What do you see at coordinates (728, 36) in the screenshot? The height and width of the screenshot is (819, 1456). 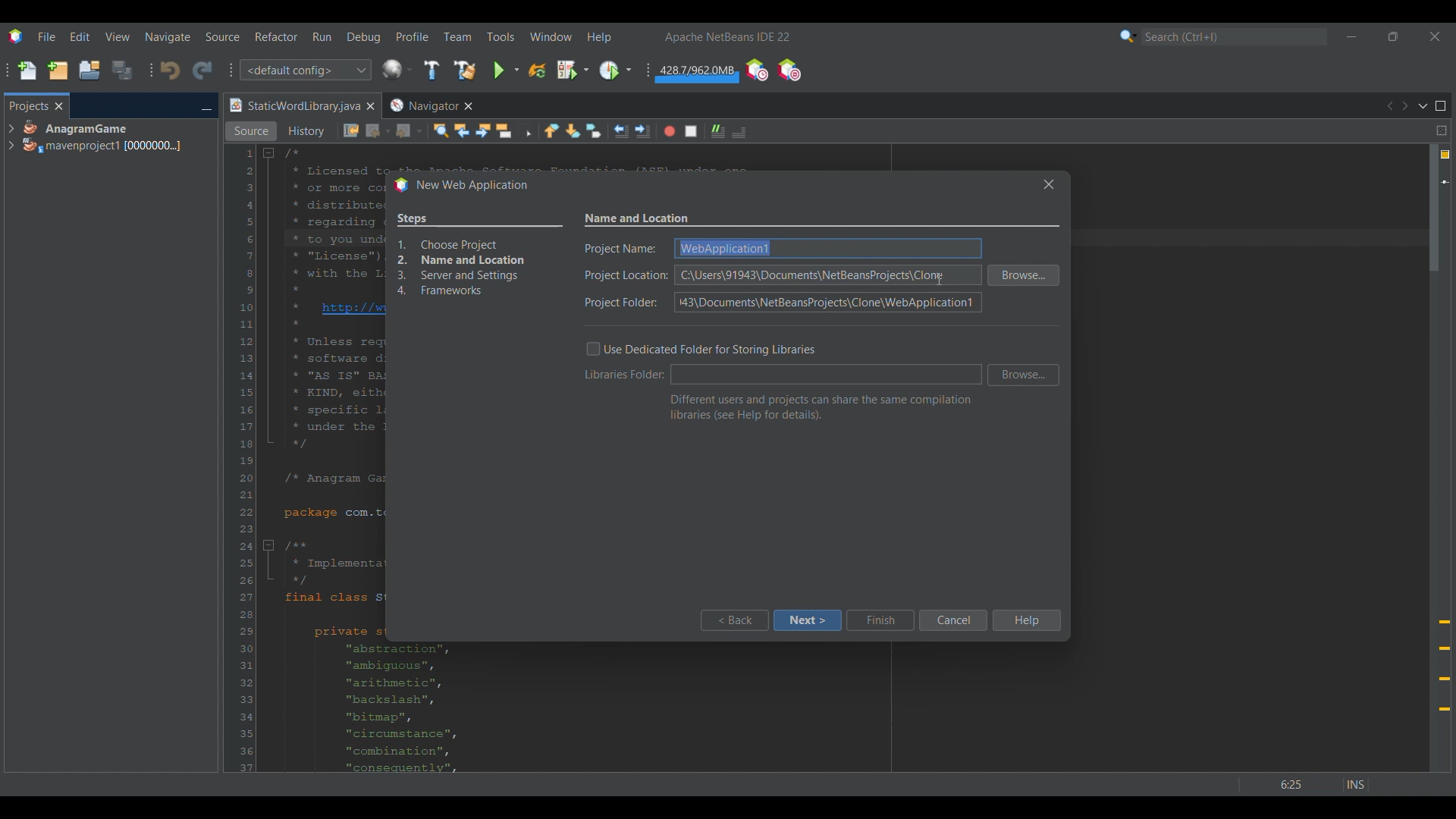 I see `Software name and version` at bounding box center [728, 36].